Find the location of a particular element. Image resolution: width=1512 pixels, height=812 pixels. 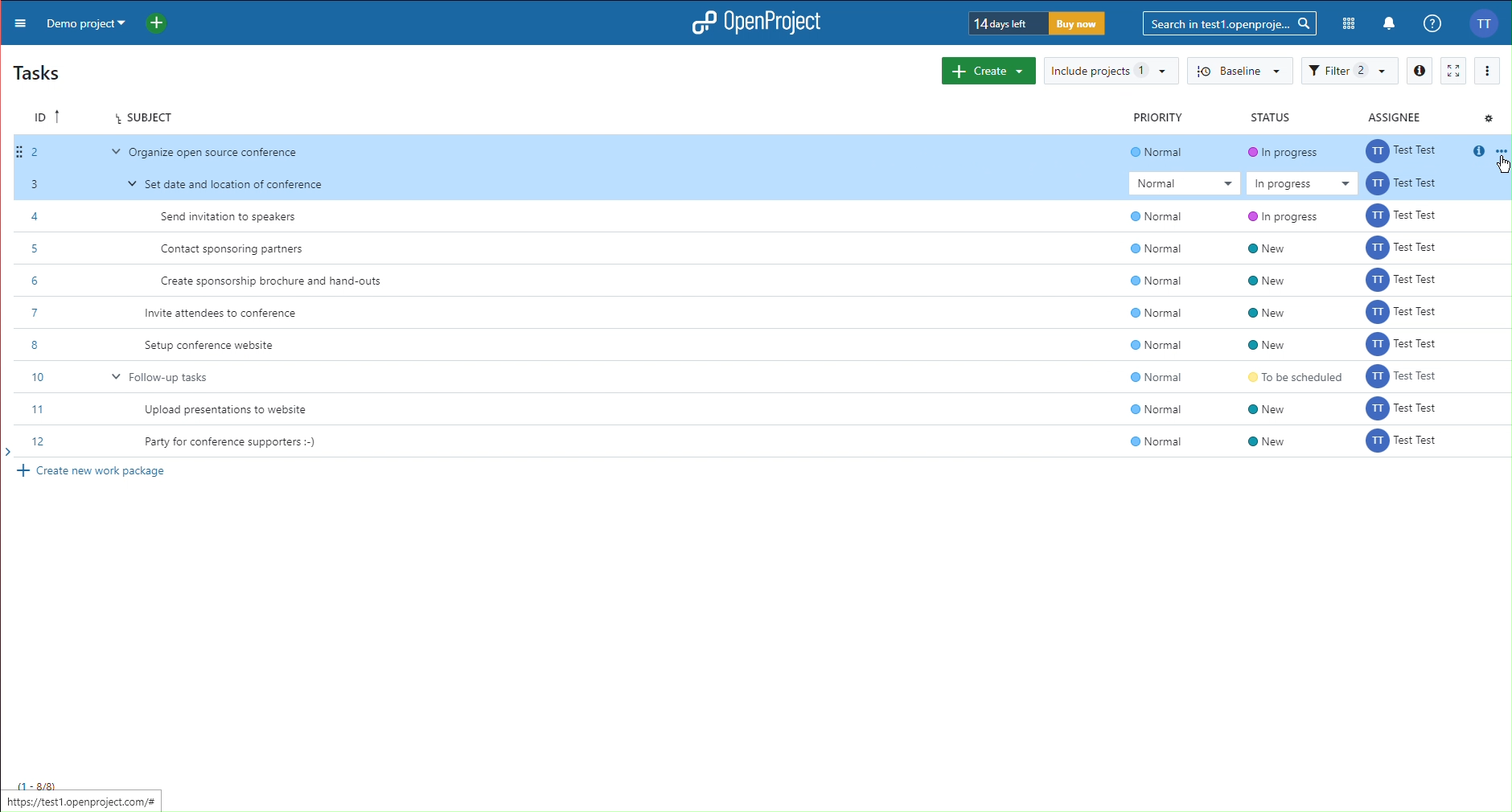

Party for conference supporters :-) is located at coordinates (232, 443).